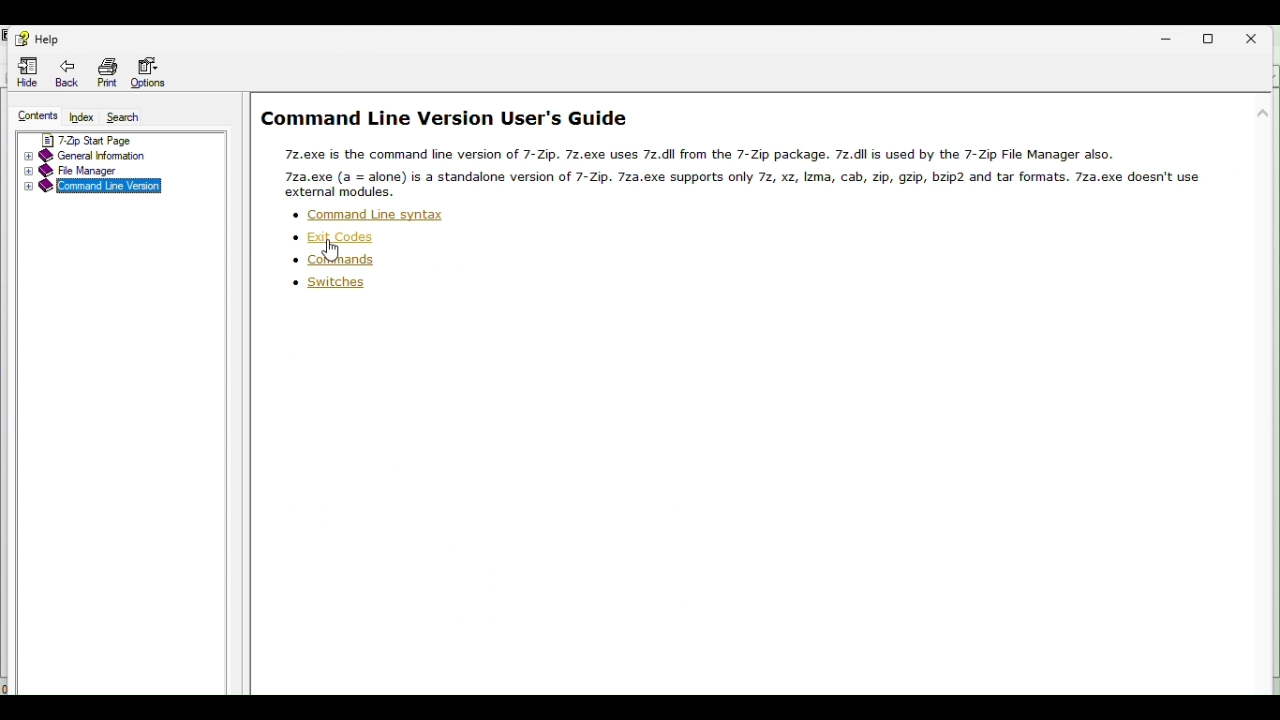  Describe the element at coordinates (331, 253) in the screenshot. I see `Cursor` at that location.